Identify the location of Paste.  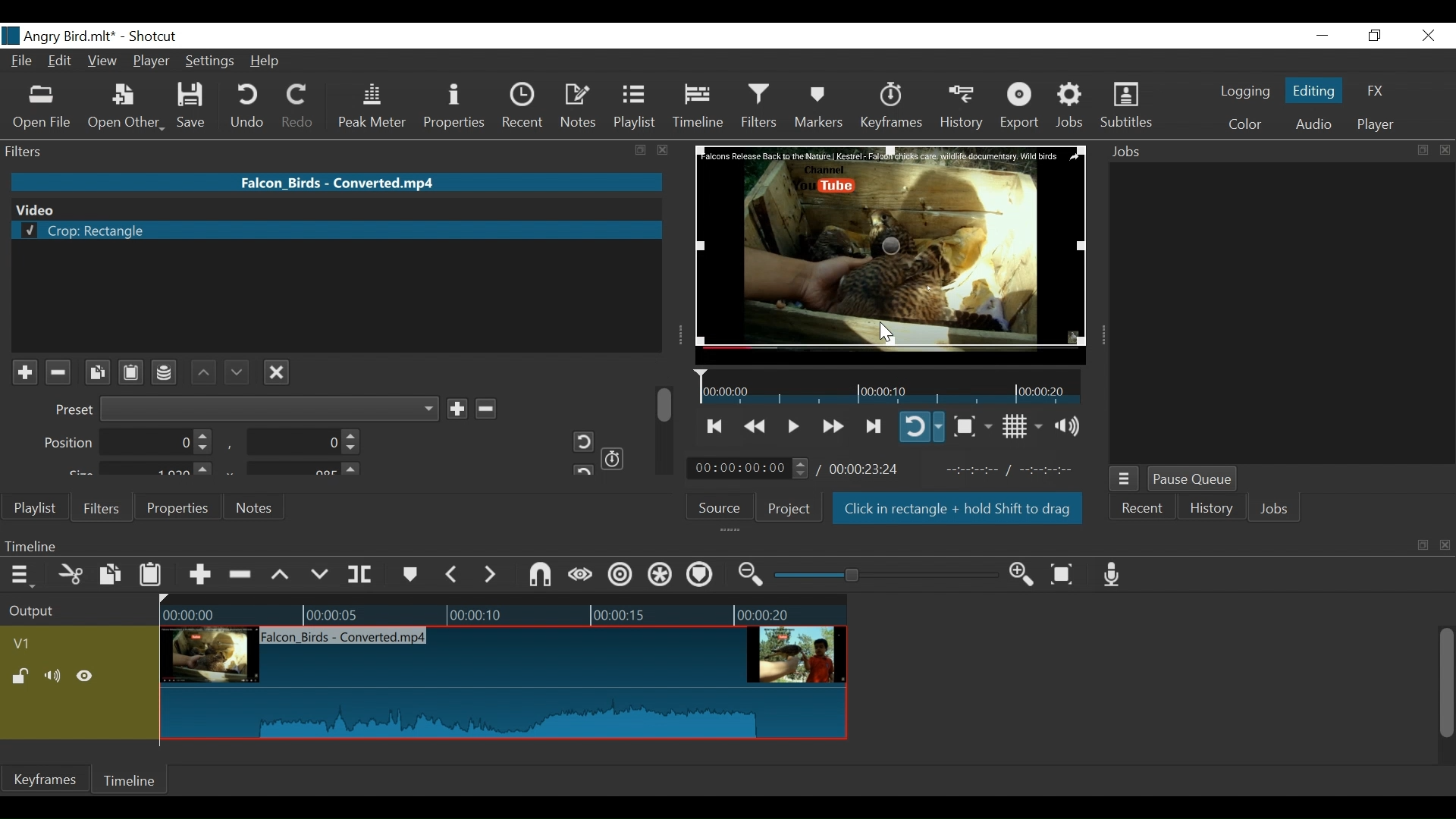
(152, 578).